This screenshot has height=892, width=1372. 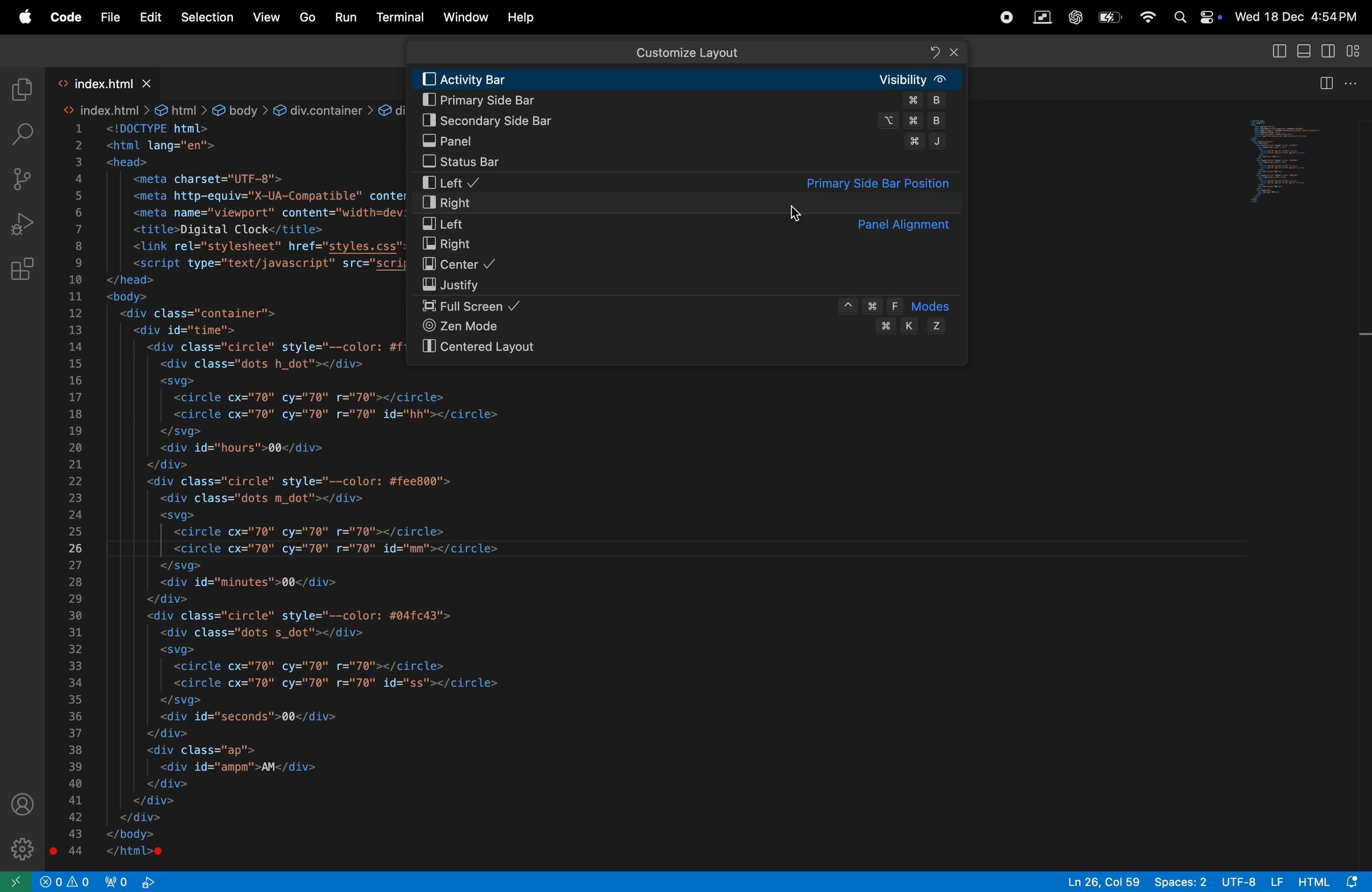 I want to click on Code, so click(x=66, y=17).